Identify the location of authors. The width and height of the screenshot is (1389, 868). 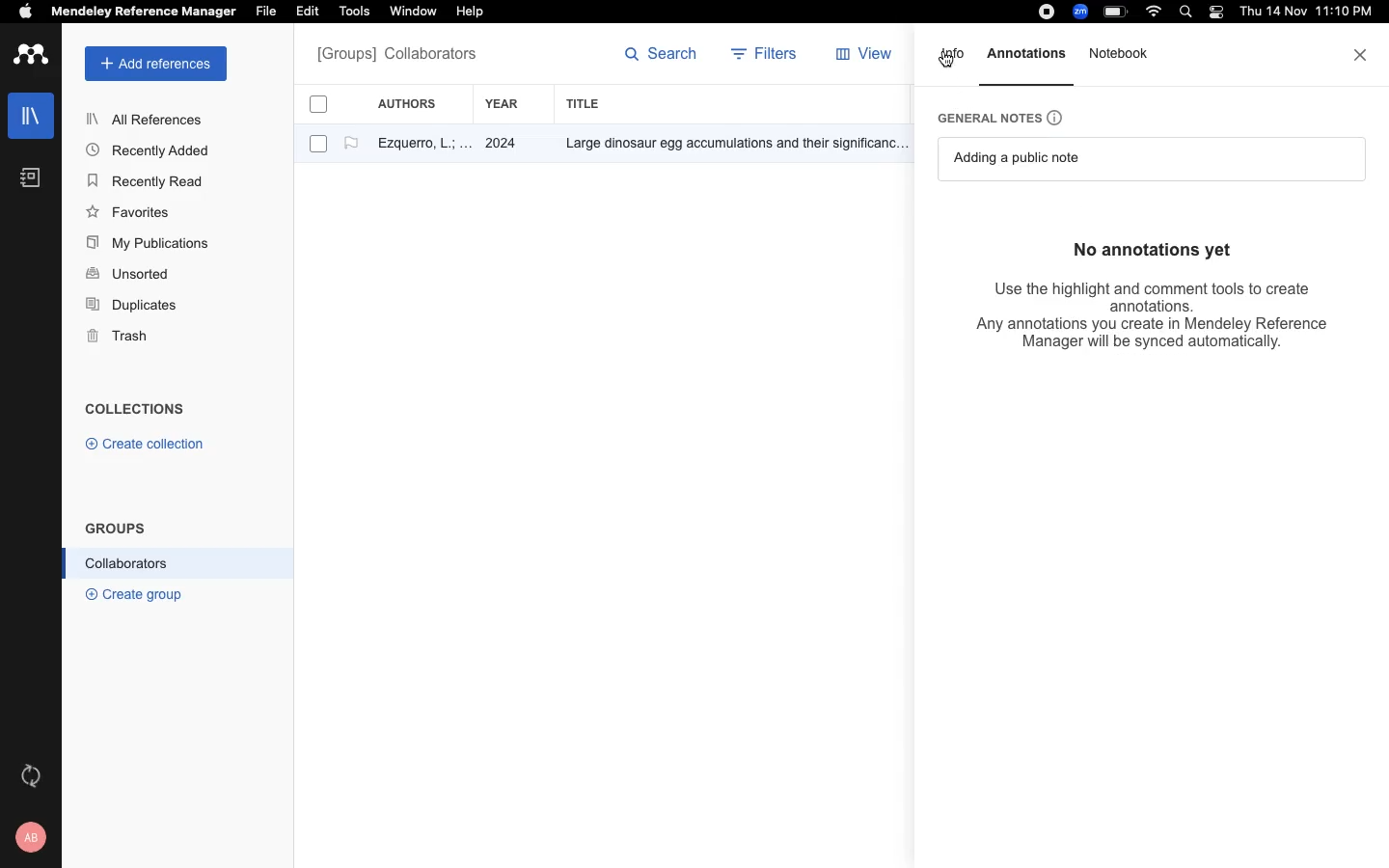
(418, 103).